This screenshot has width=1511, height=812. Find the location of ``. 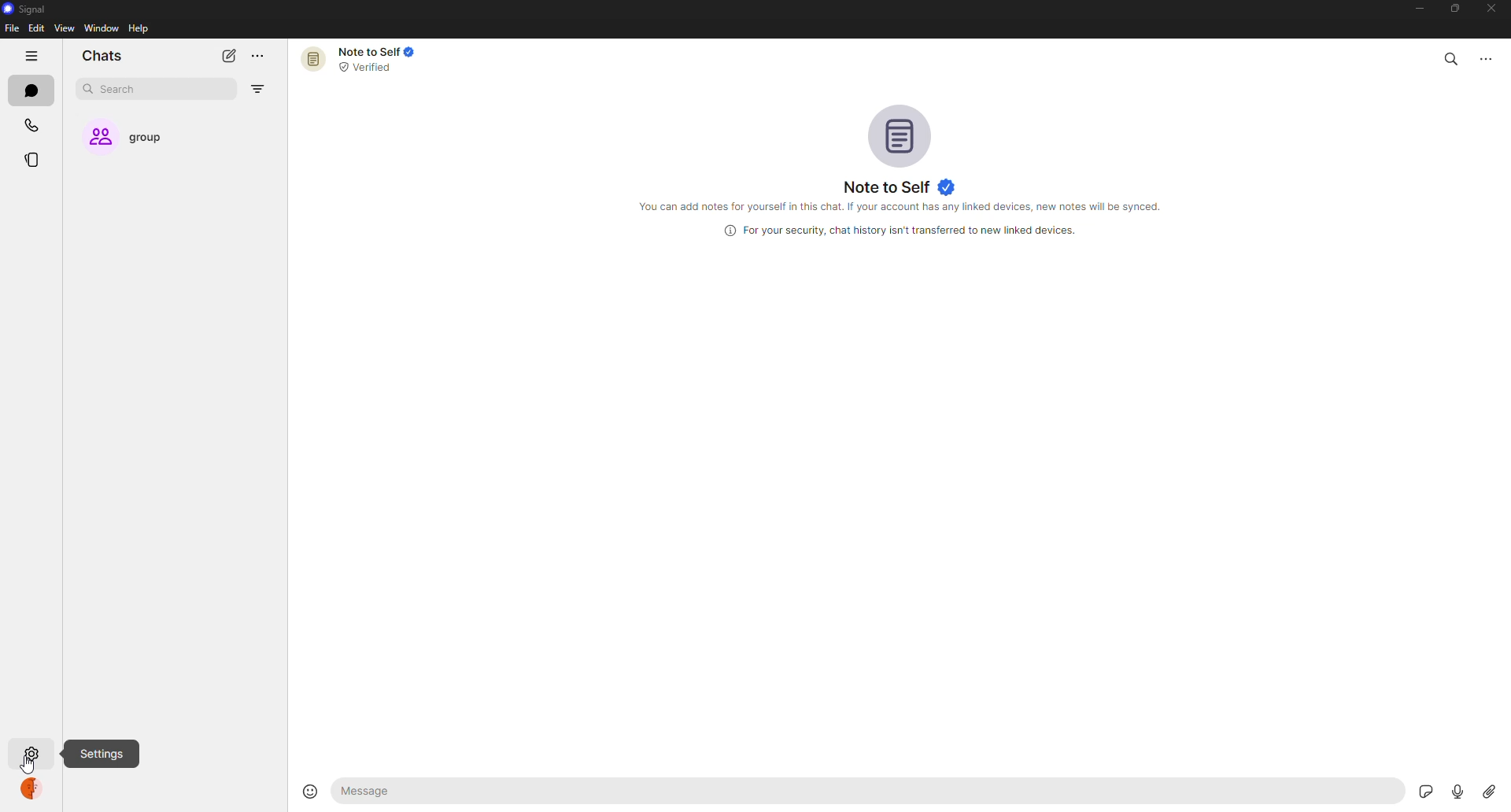

 is located at coordinates (895, 231).